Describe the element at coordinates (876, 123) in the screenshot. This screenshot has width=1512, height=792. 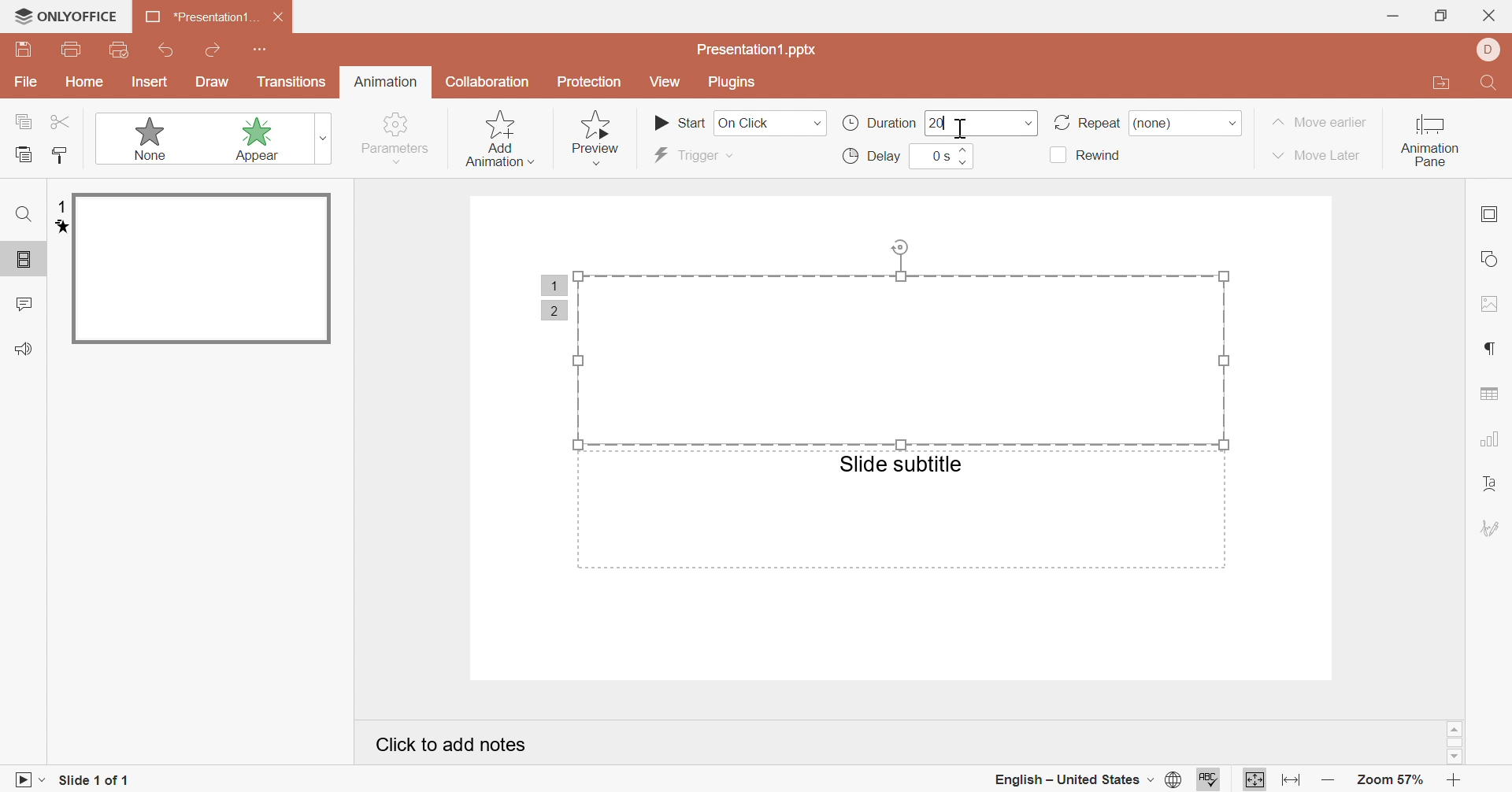
I see `duration` at that location.